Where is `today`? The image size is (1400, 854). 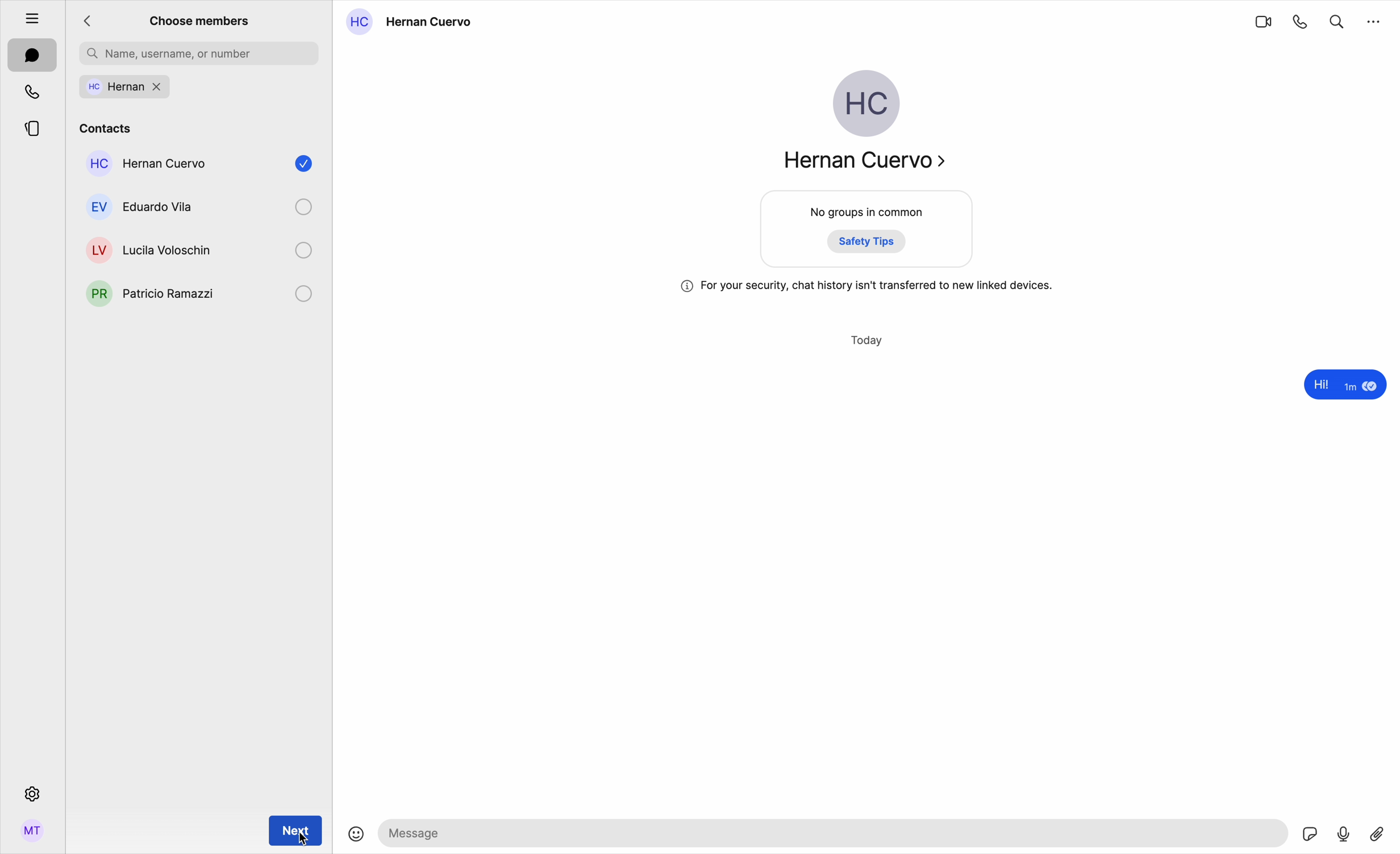 today is located at coordinates (868, 341).